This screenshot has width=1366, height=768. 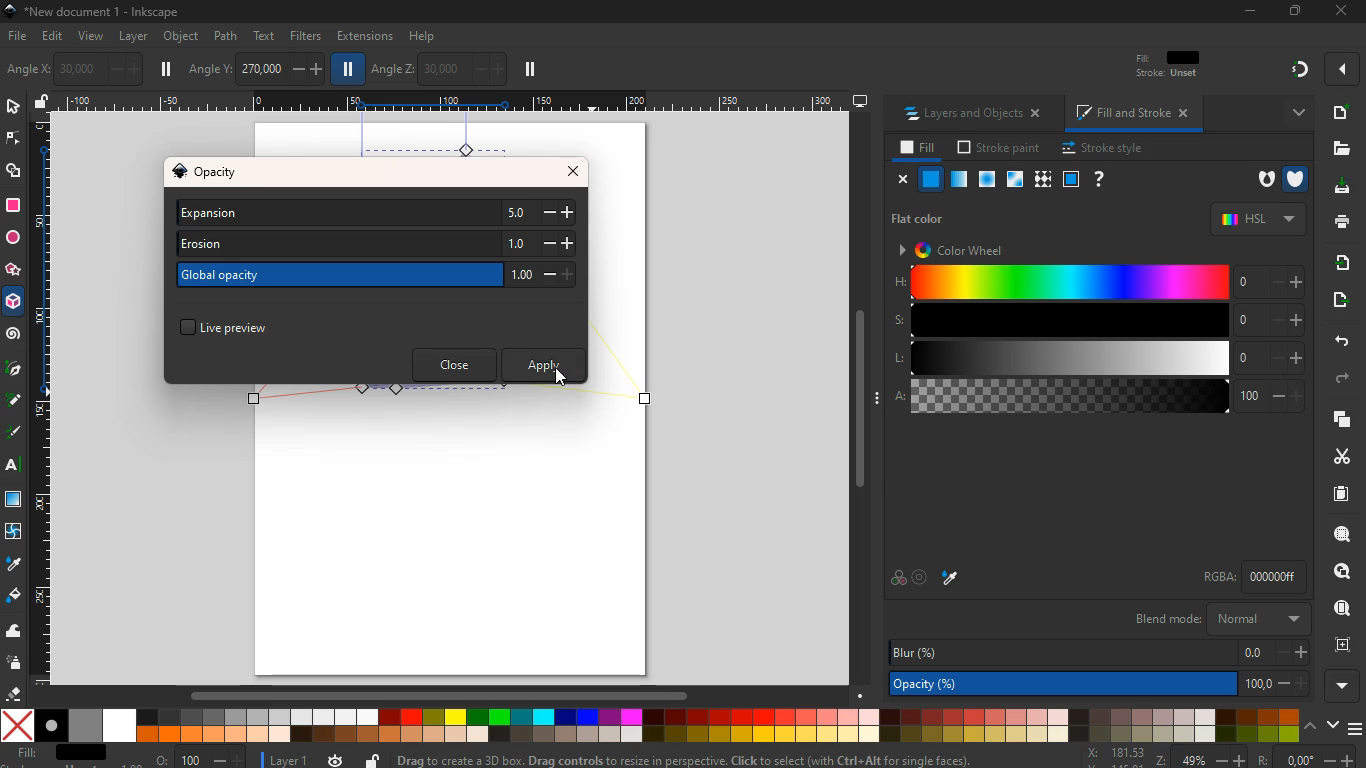 What do you see at coordinates (903, 180) in the screenshot?
I see `close` at bounding box center [903, 180].